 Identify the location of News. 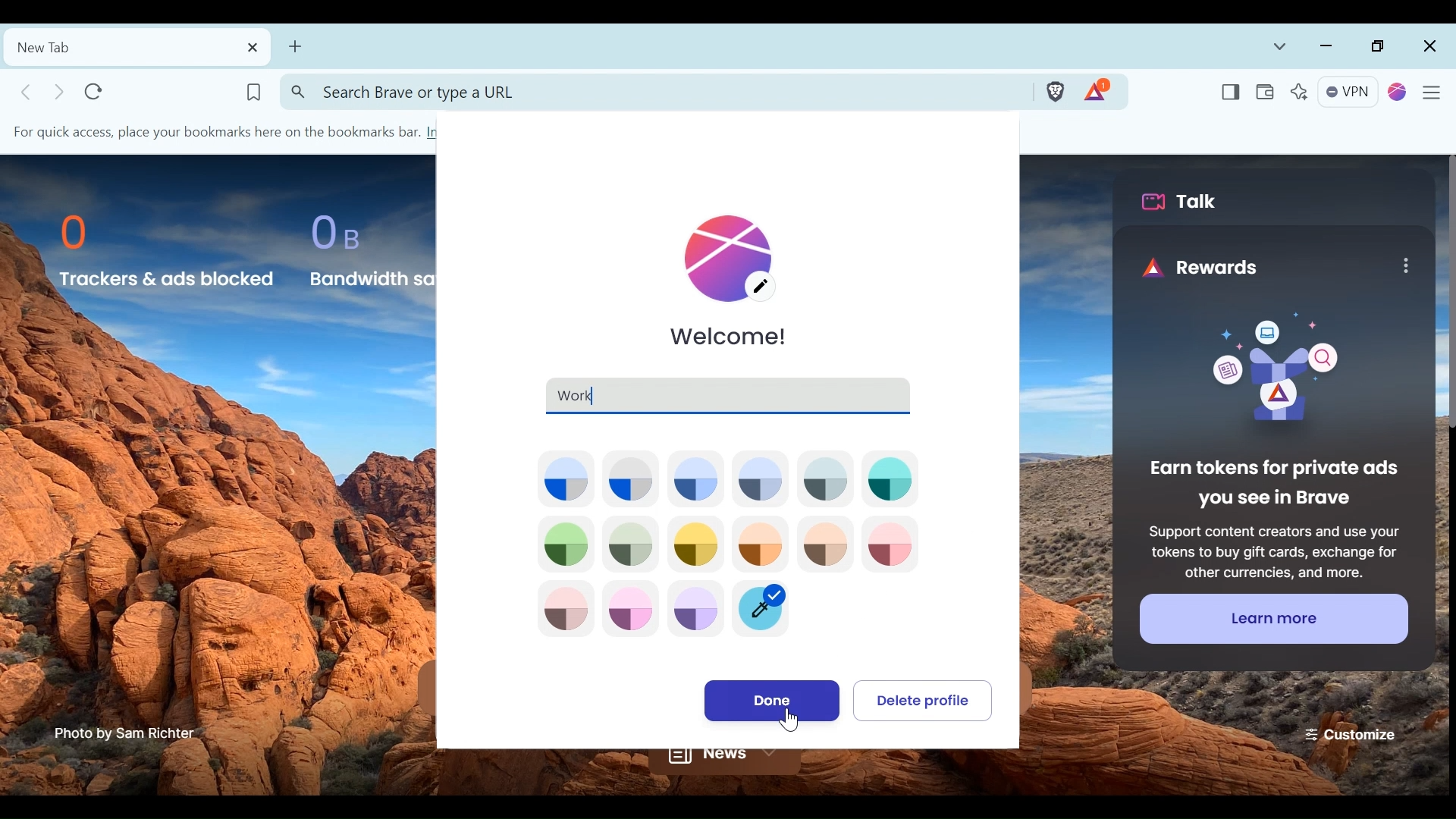
(723, 762).